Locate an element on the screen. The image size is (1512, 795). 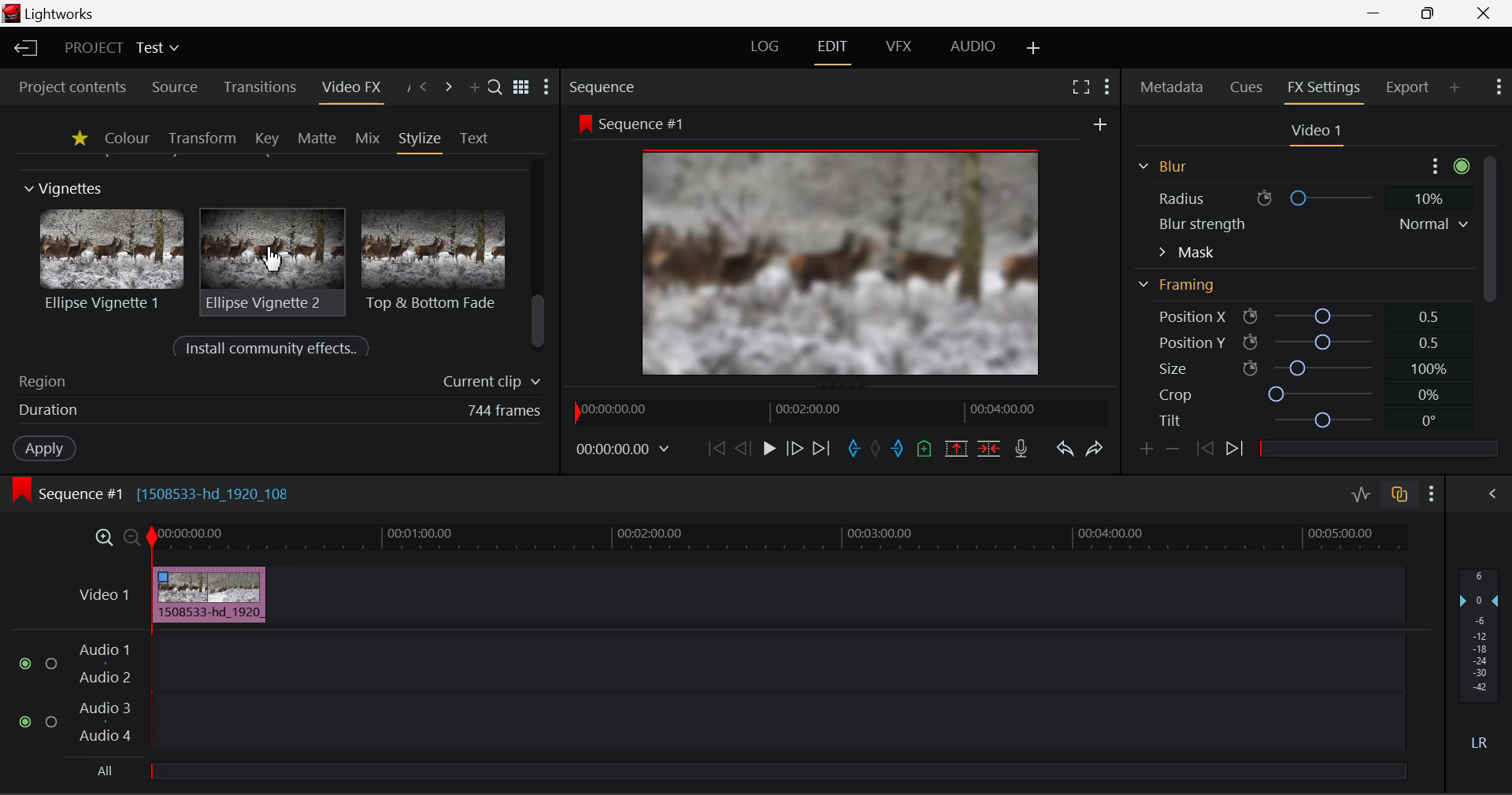
Undo is located at coordinates (1063, 446).